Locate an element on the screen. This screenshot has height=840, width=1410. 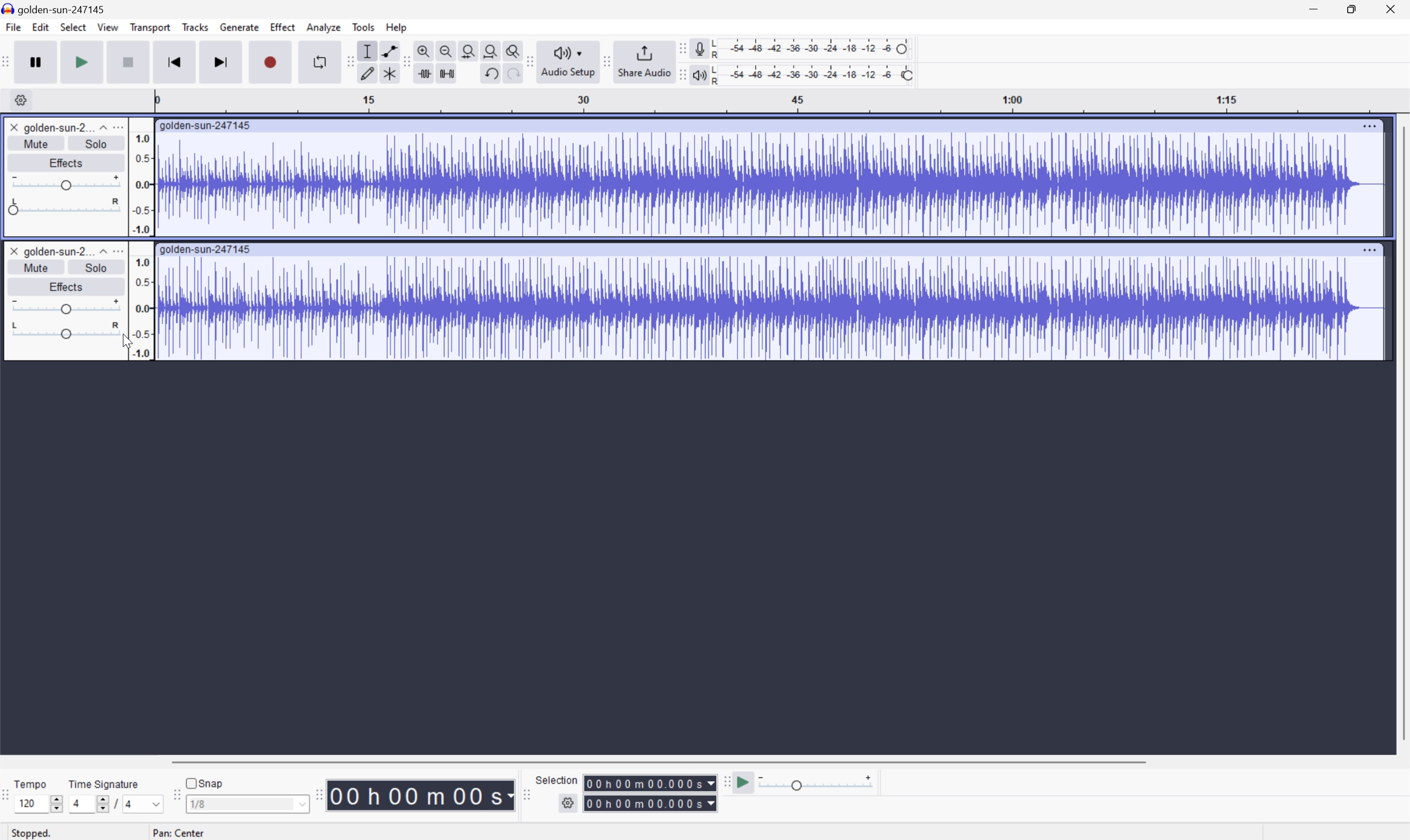
Record / Record new track is located at coordinates (272, 63).